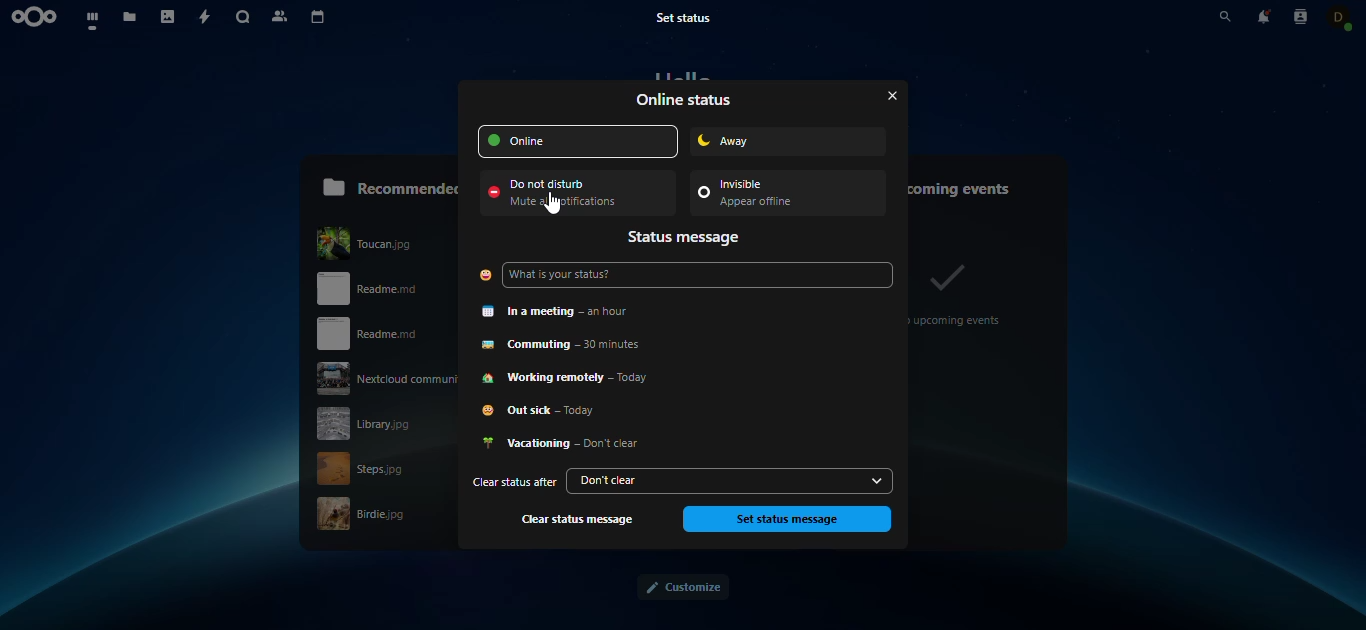 Image resolution: width=1366 pixels, height=630 pixels. I want to click on hello, so click(683, 75).